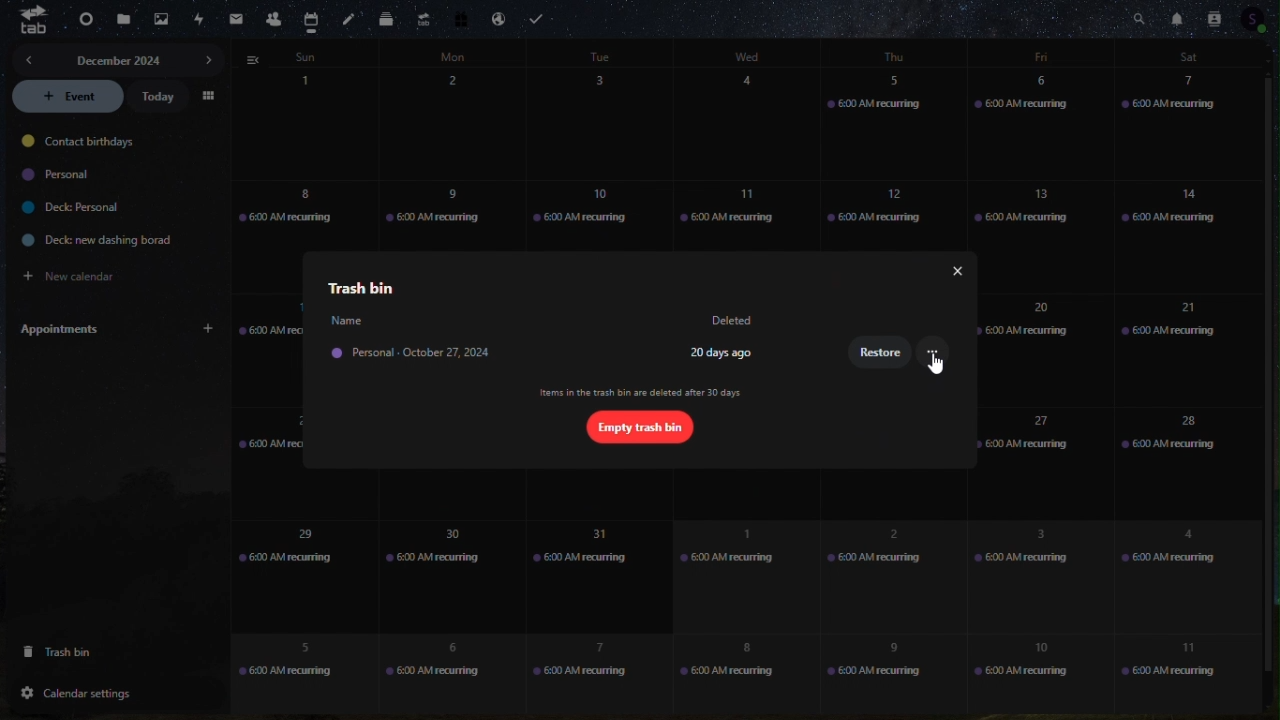  I want to click on 3, so click(1028, 574).